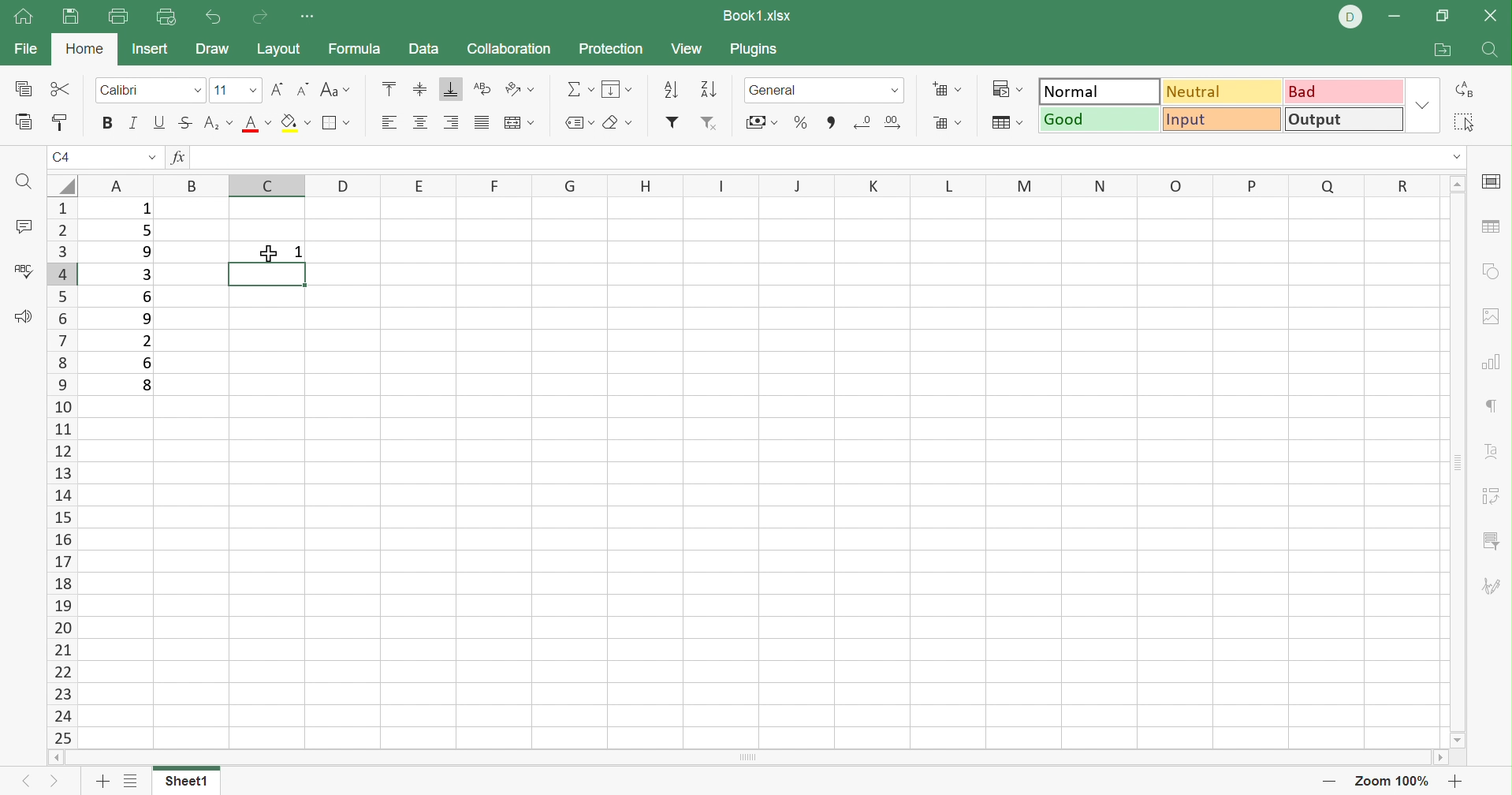  I want to click on Decrease decimal, so click(863, 118).